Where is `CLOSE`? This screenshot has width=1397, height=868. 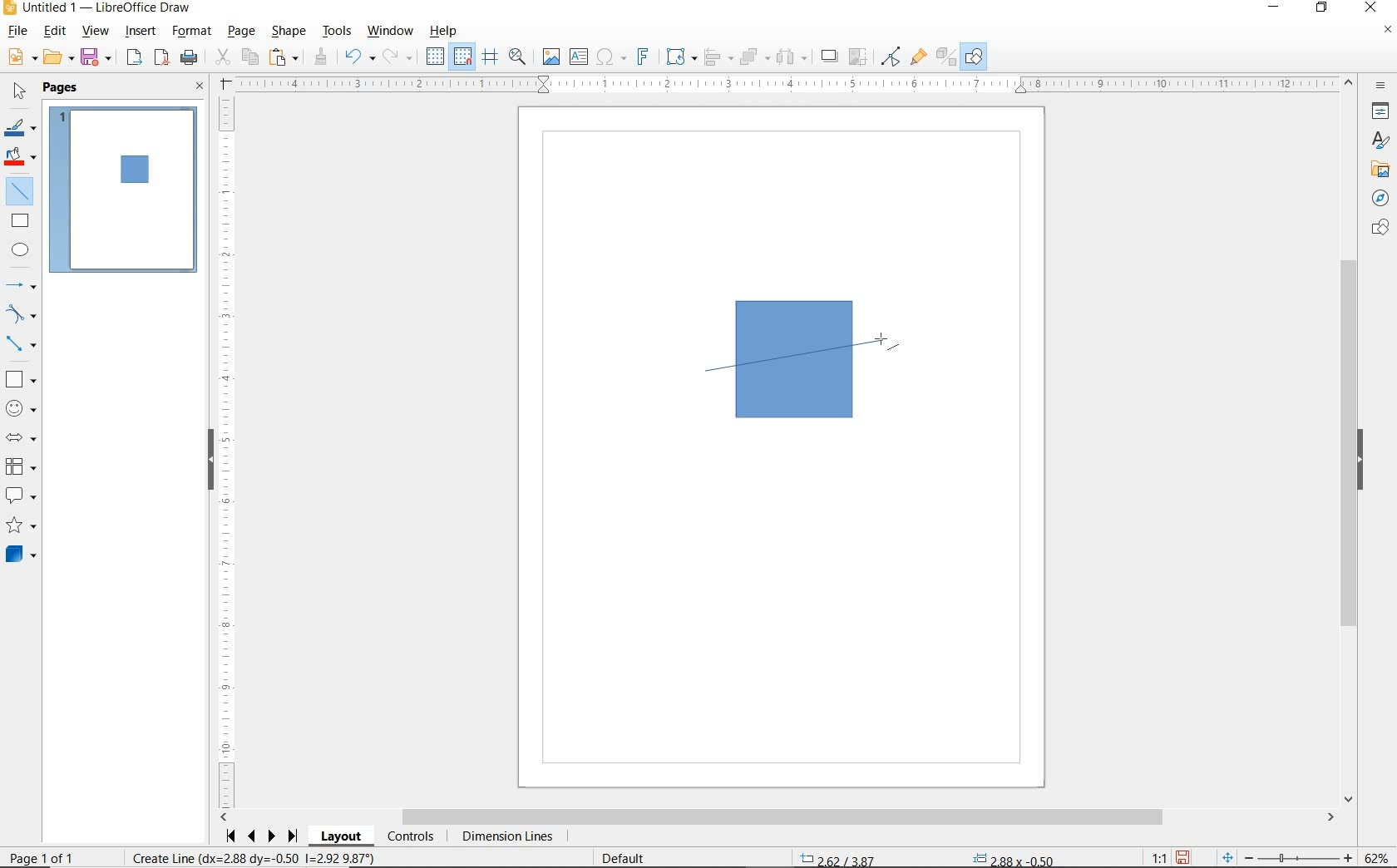
CLOSE is located at coordinates (200, 87).